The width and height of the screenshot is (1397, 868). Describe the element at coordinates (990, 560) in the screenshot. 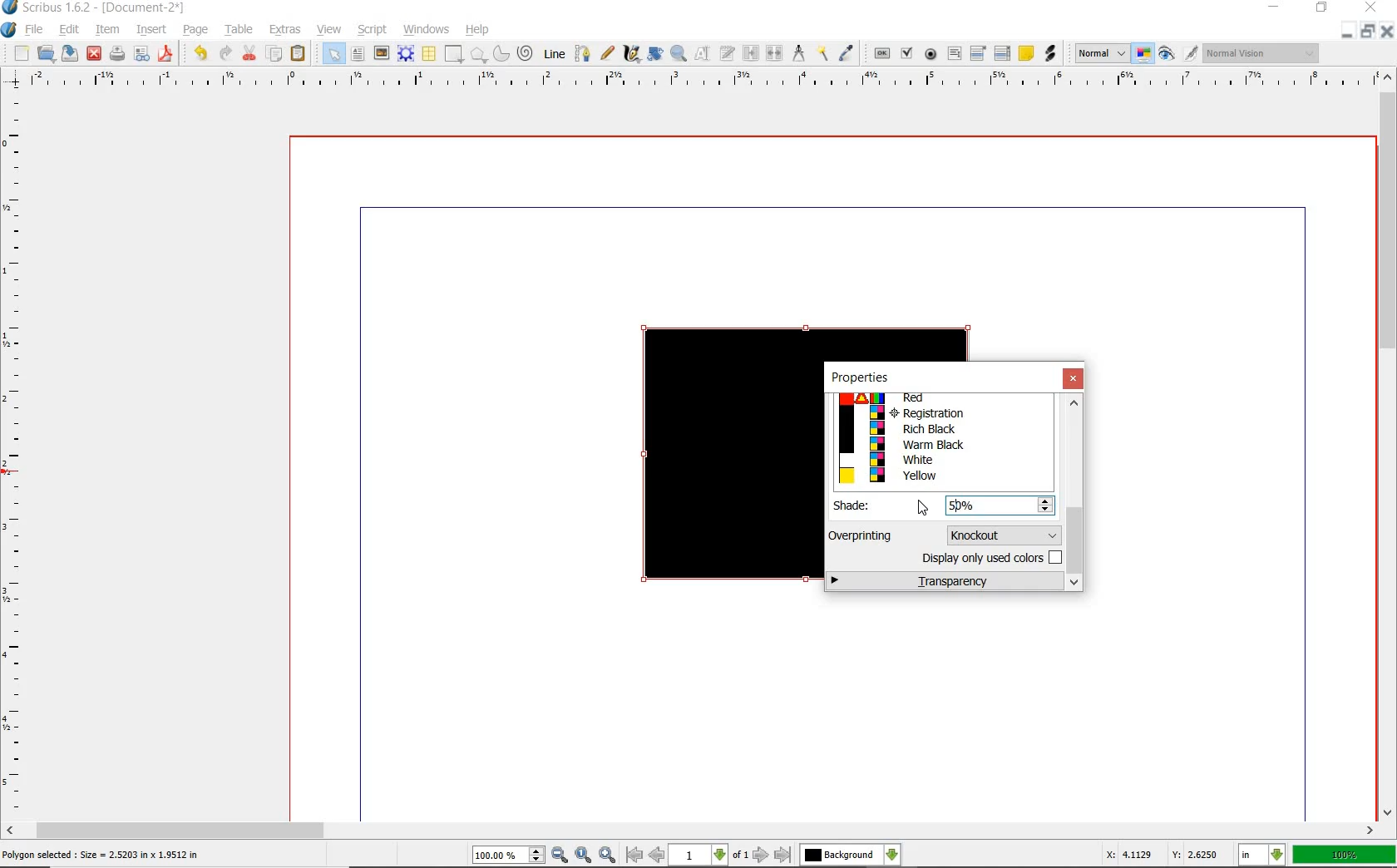

I see `display only used colors` at that location.